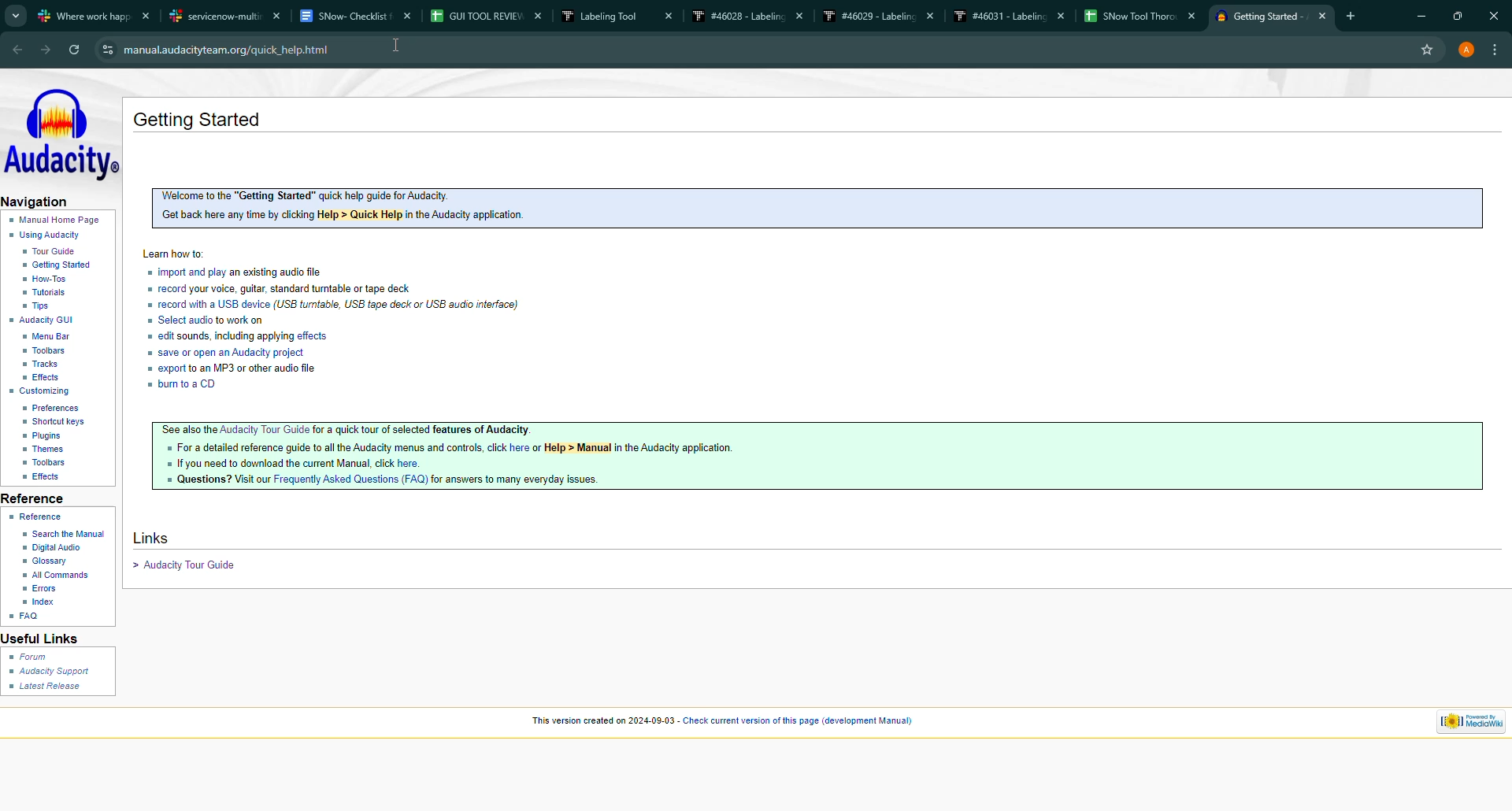 The image size is (1512, 811). Describe the element at coordinates (57, 410) in the screenshot. I see `preference` at that location.